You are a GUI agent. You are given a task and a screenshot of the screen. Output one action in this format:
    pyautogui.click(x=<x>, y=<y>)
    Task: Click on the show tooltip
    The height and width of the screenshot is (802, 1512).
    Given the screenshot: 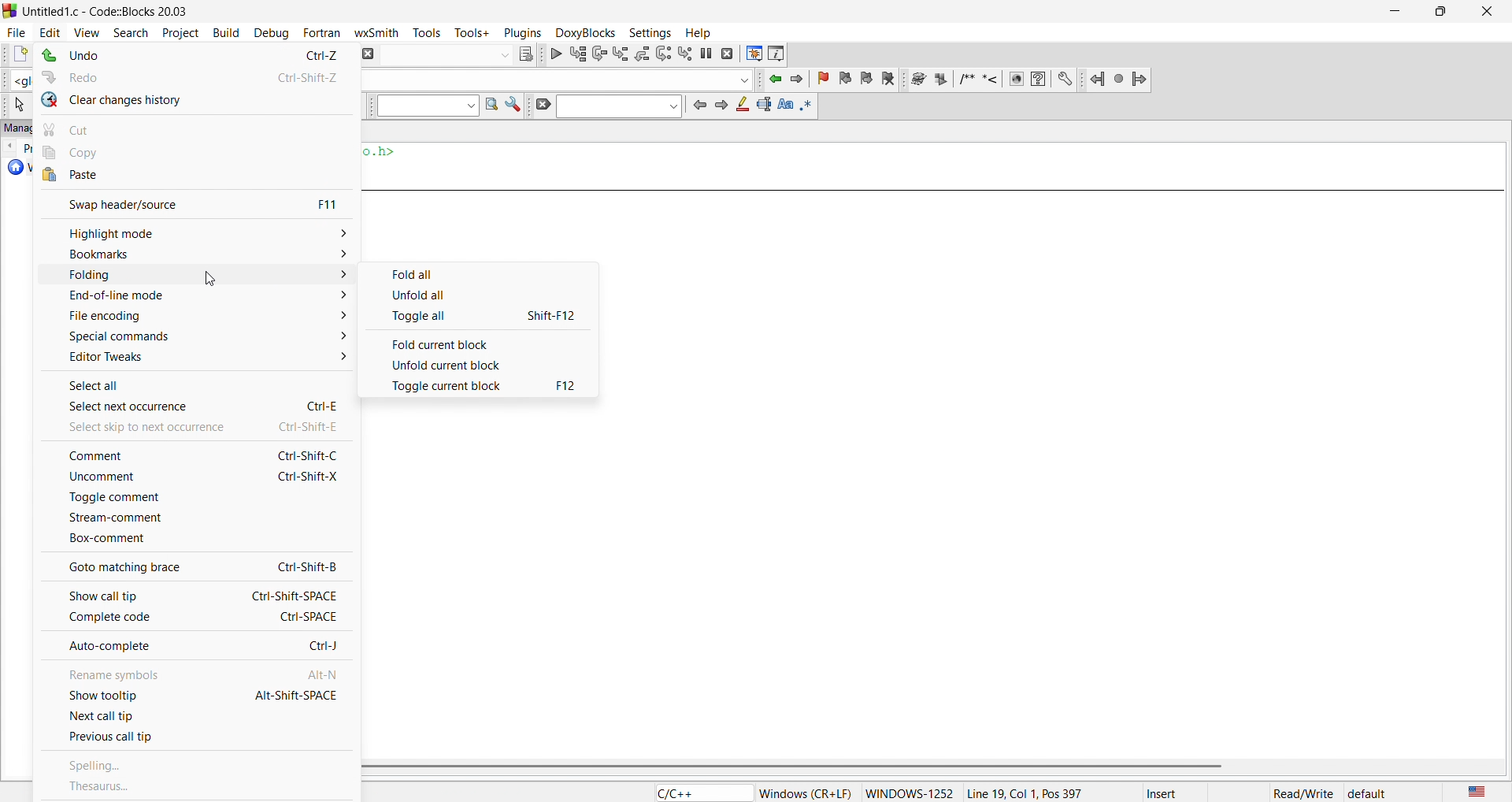 What is the action you would take?
    pyautogui.click(x=192, y=695)
    